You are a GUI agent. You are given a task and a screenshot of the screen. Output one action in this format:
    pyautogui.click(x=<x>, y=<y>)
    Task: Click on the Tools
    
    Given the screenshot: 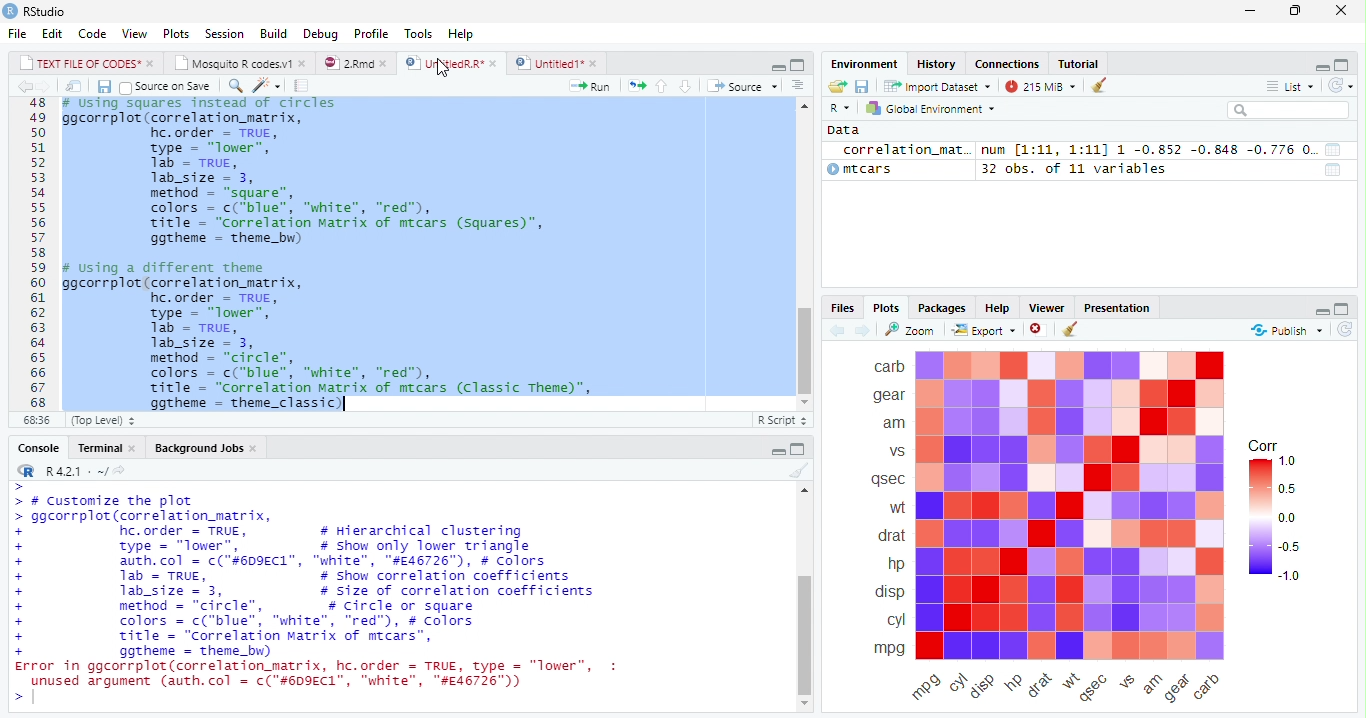 What is the action you would take?
    pyautogui.click(x=417, y=32)
    